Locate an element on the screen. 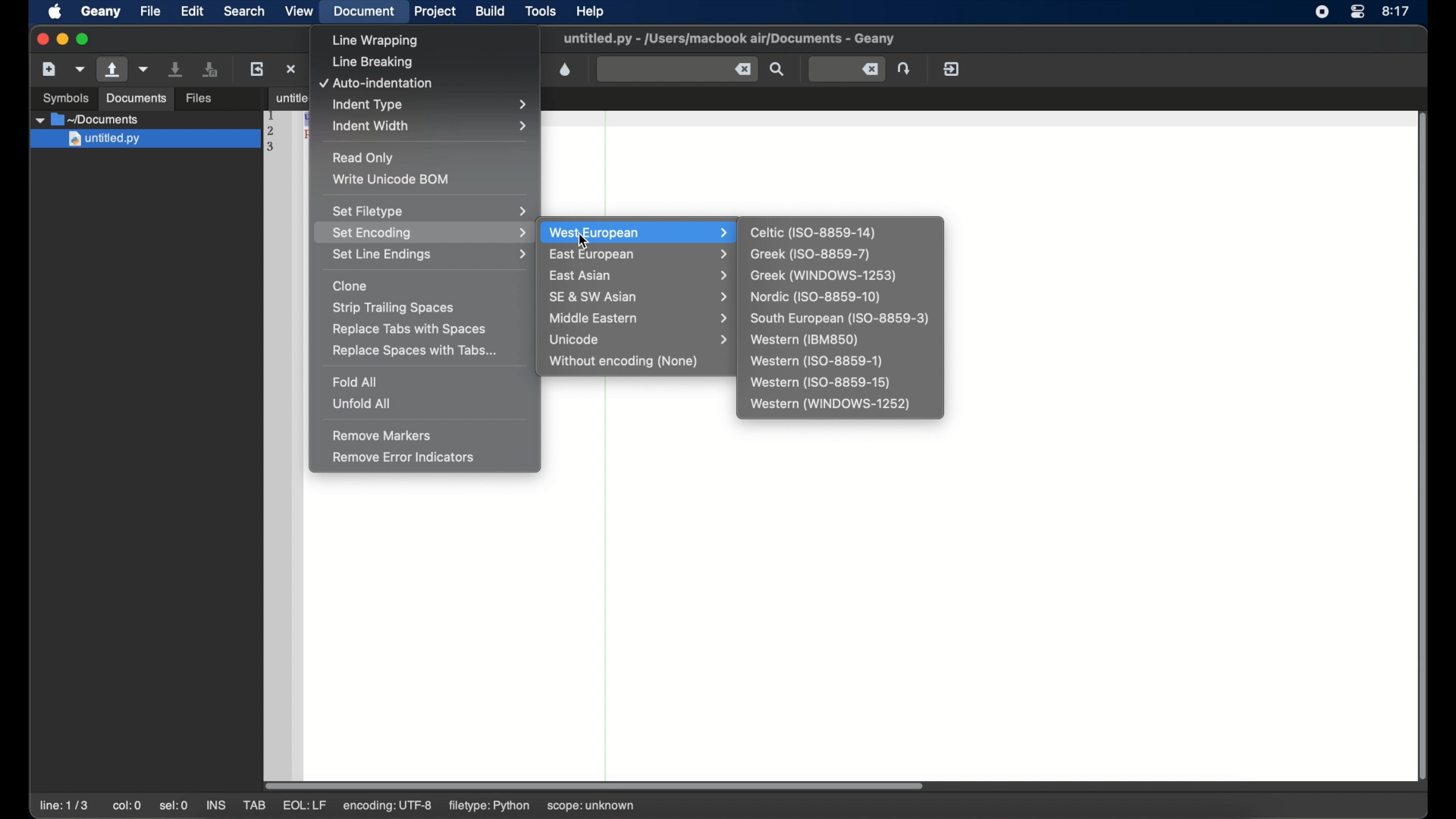  filetype: python is located at coordinates (491, 806).